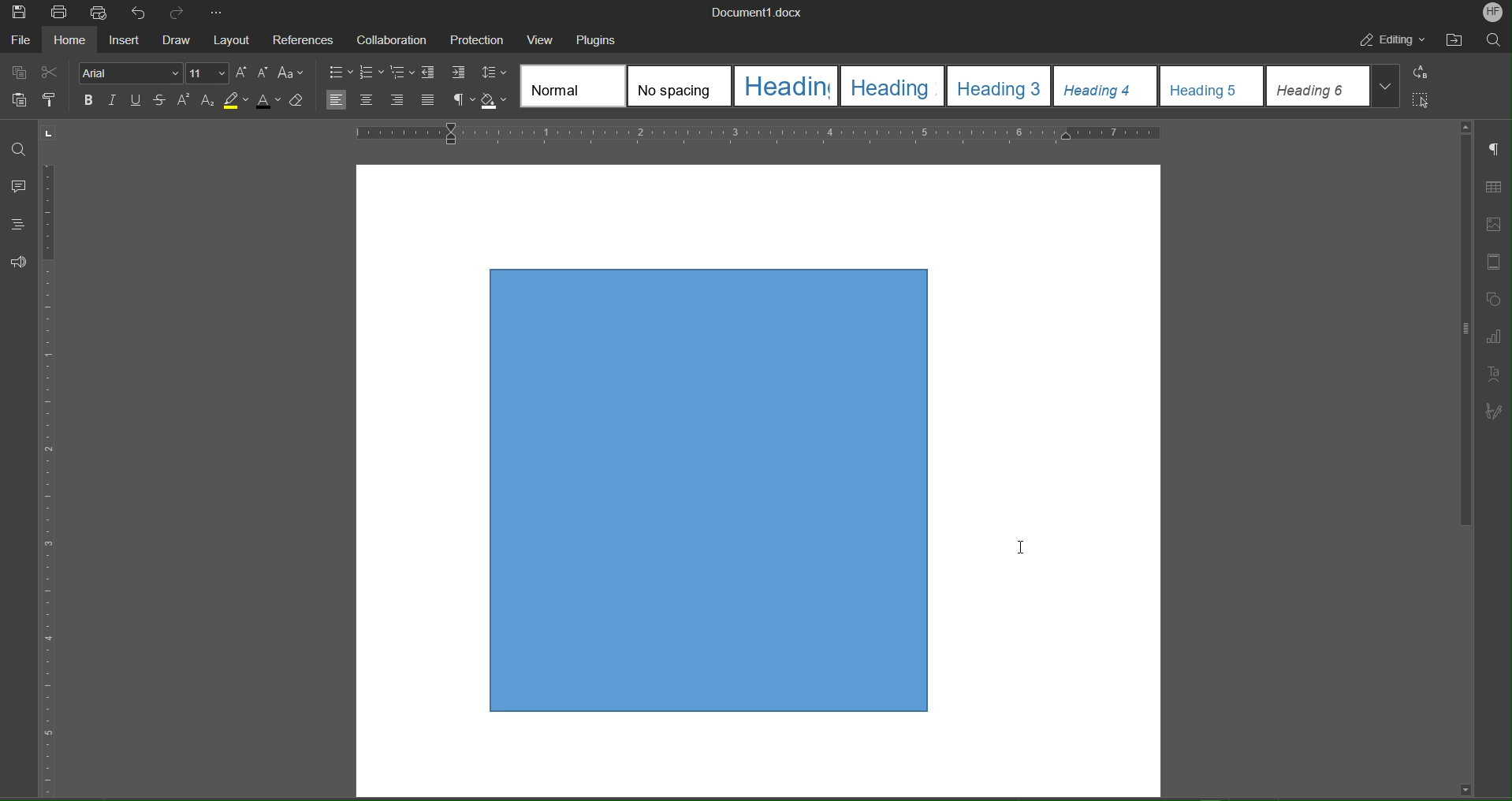  Describe the element at coordinates (292, 73) in the screenshot. I see `Shift font case` at that location.